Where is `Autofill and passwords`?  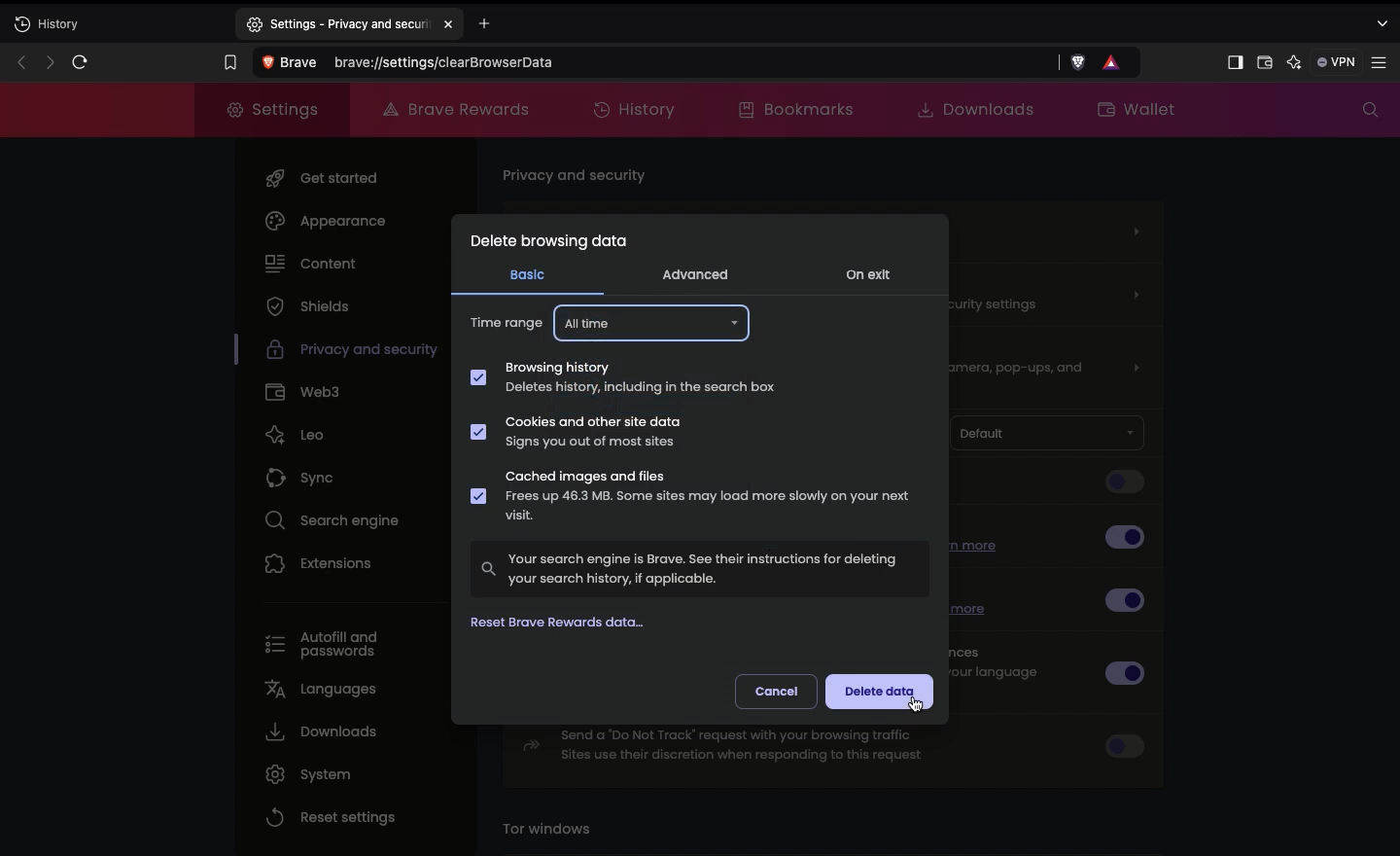
Autofill and passwords is located at coordinates (323, 639).